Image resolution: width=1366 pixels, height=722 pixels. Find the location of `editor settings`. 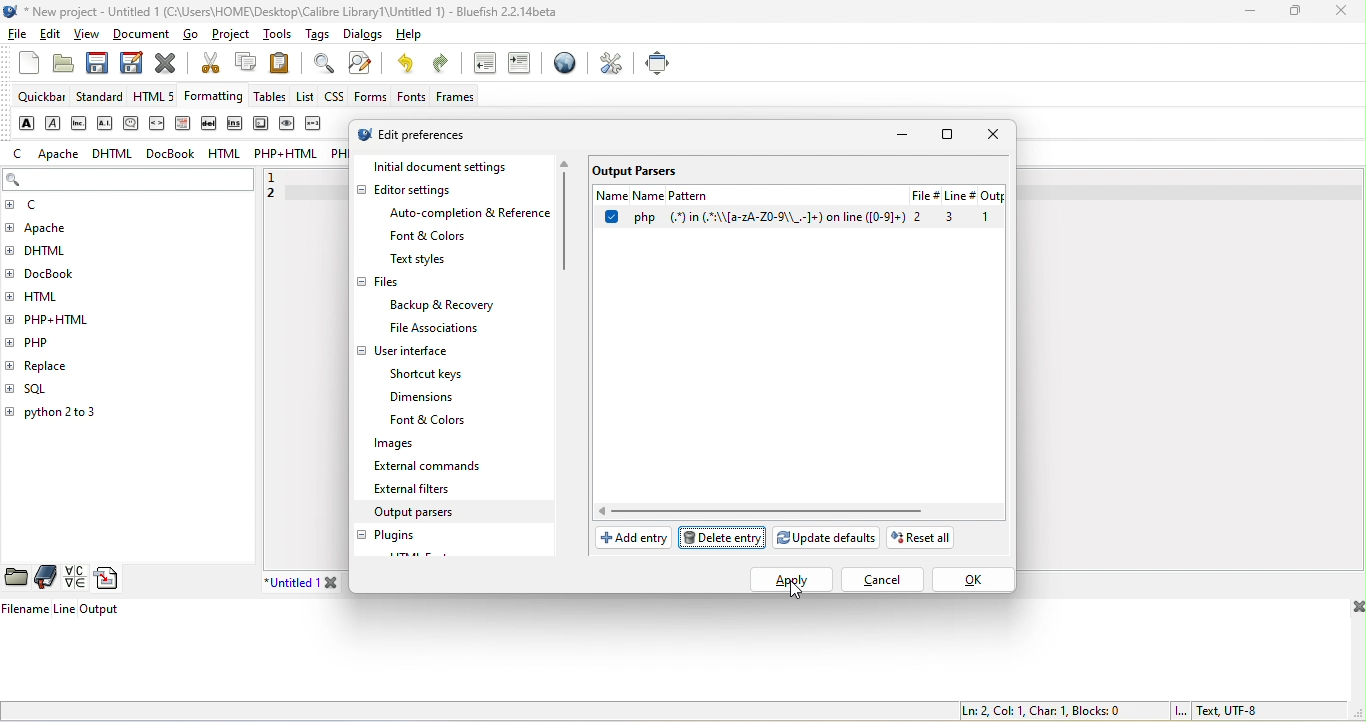

editor settings is located at coordinates (424, 190).